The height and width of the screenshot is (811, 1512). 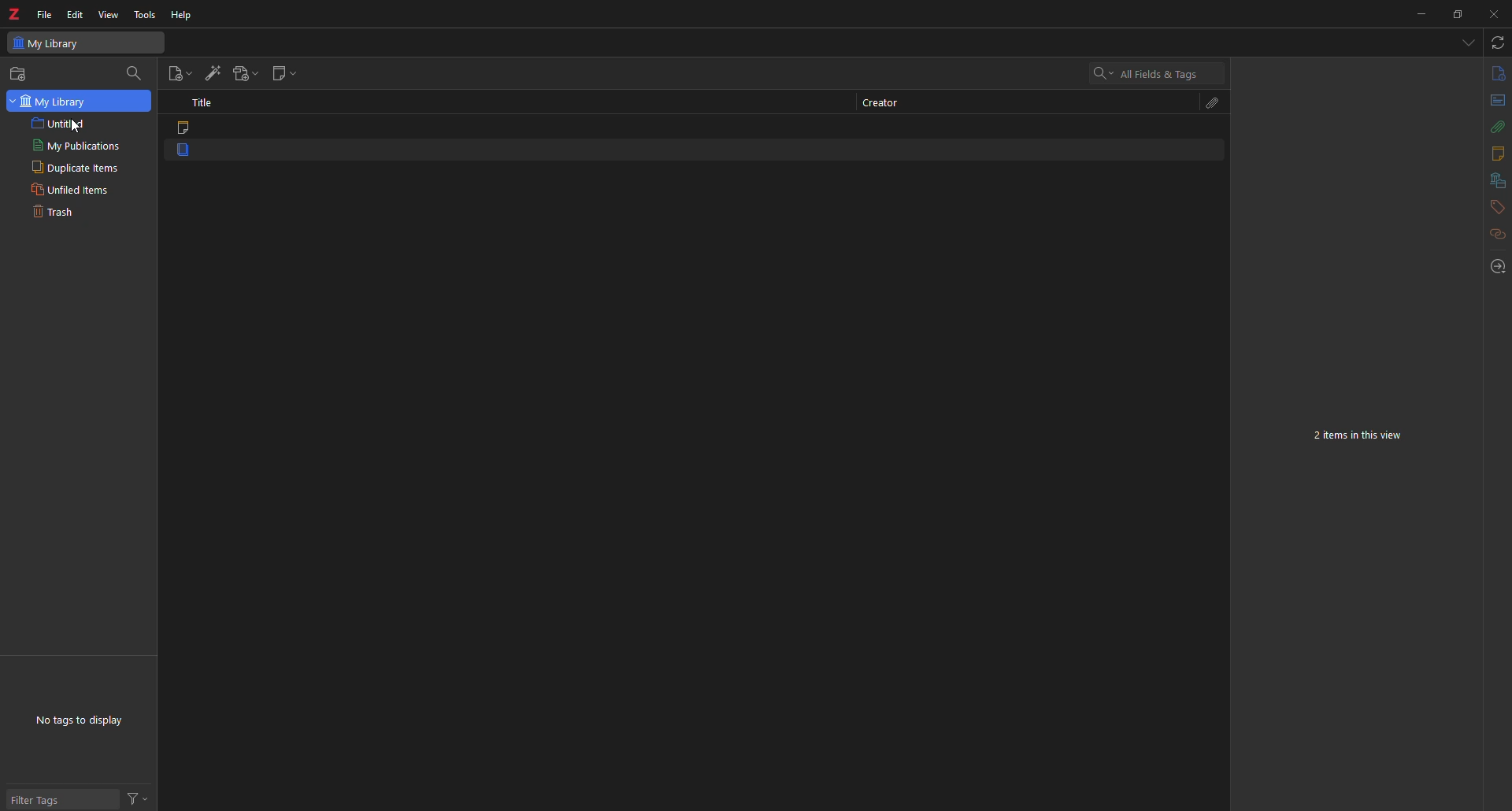 What do you see at coordinates (1208, 104) in the screenshot?
I see `attach` at bounding box center [1208, 104].